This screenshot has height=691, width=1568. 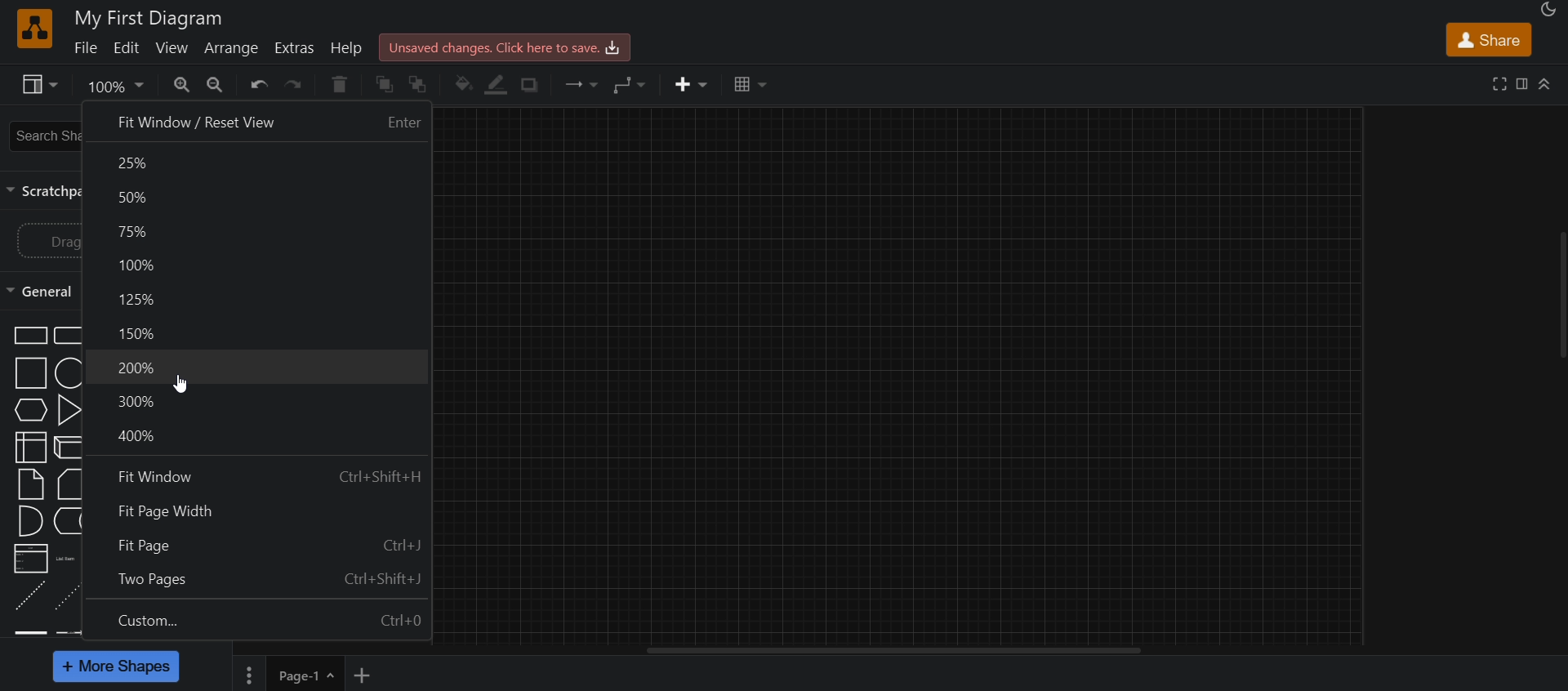 I want to click on delete, so click(x=340, y=86).